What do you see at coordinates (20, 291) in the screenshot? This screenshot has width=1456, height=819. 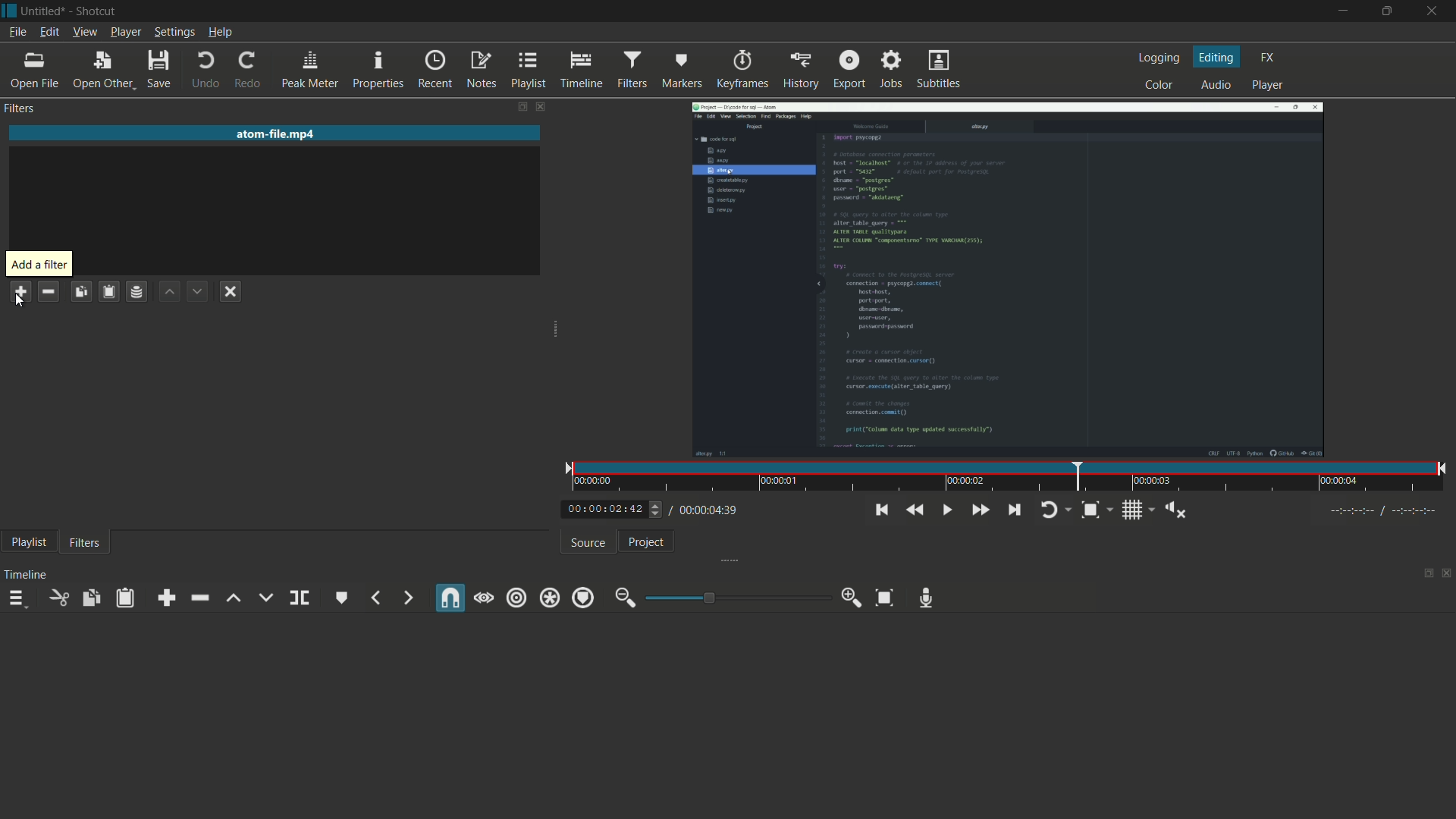 I see `add a filter` at bounding box center [20, 291].